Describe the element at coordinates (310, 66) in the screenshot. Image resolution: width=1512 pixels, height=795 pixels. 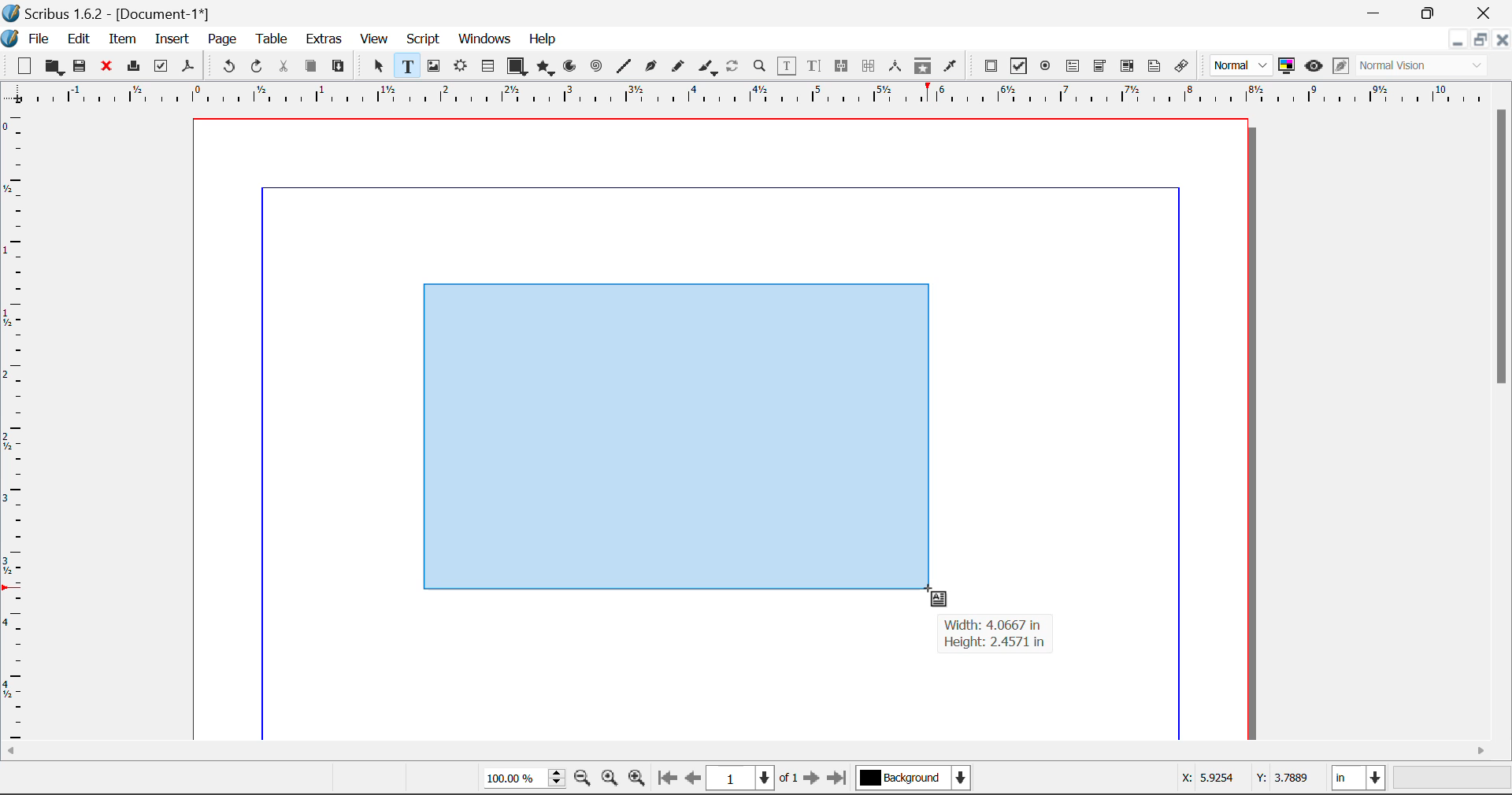
I see `Copy` at that location.